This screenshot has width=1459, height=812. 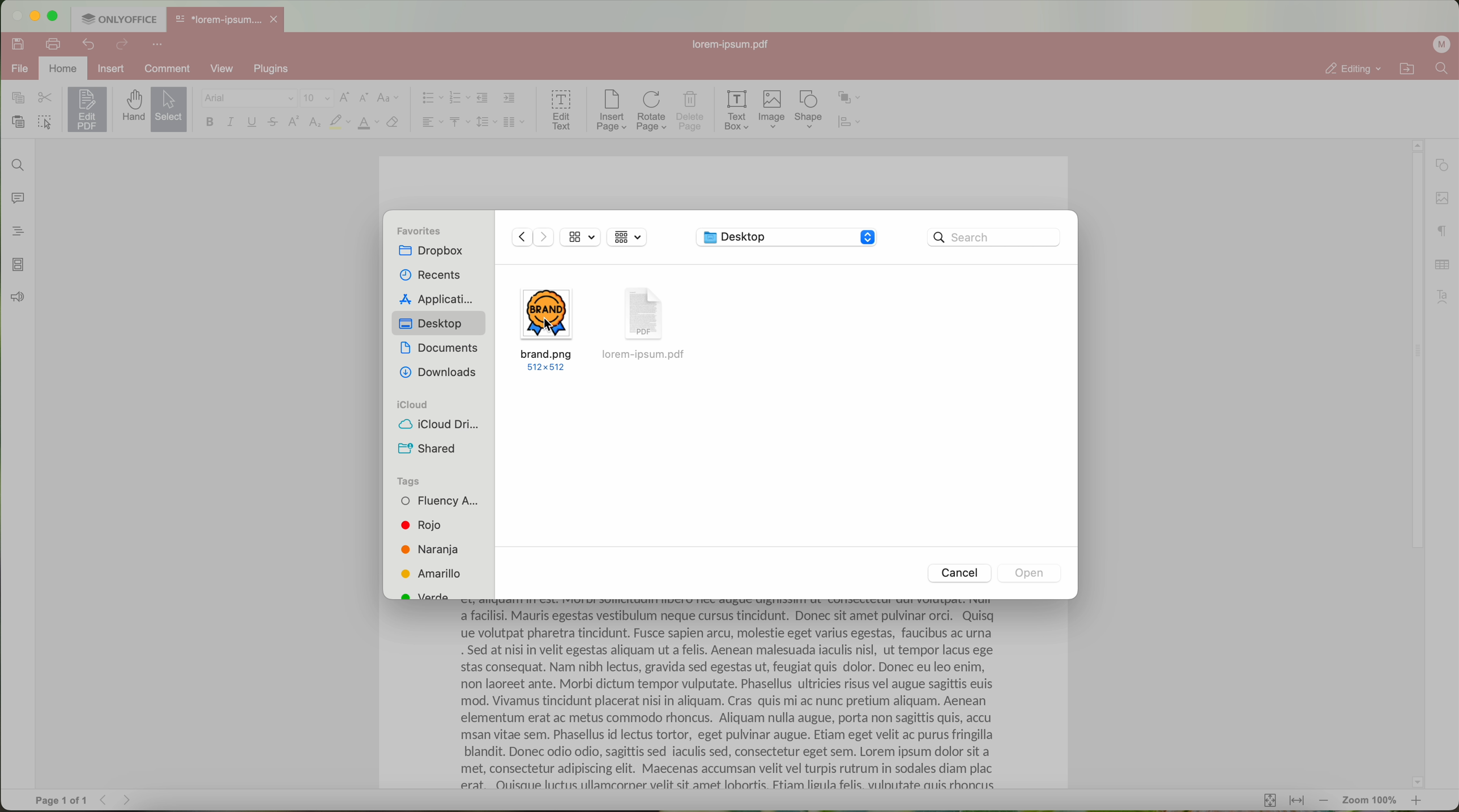 What do you see at coordinates (645, 323) in the screenshot?
I see `lorem-ipsum.pdf` at bounding box center [645, 323].